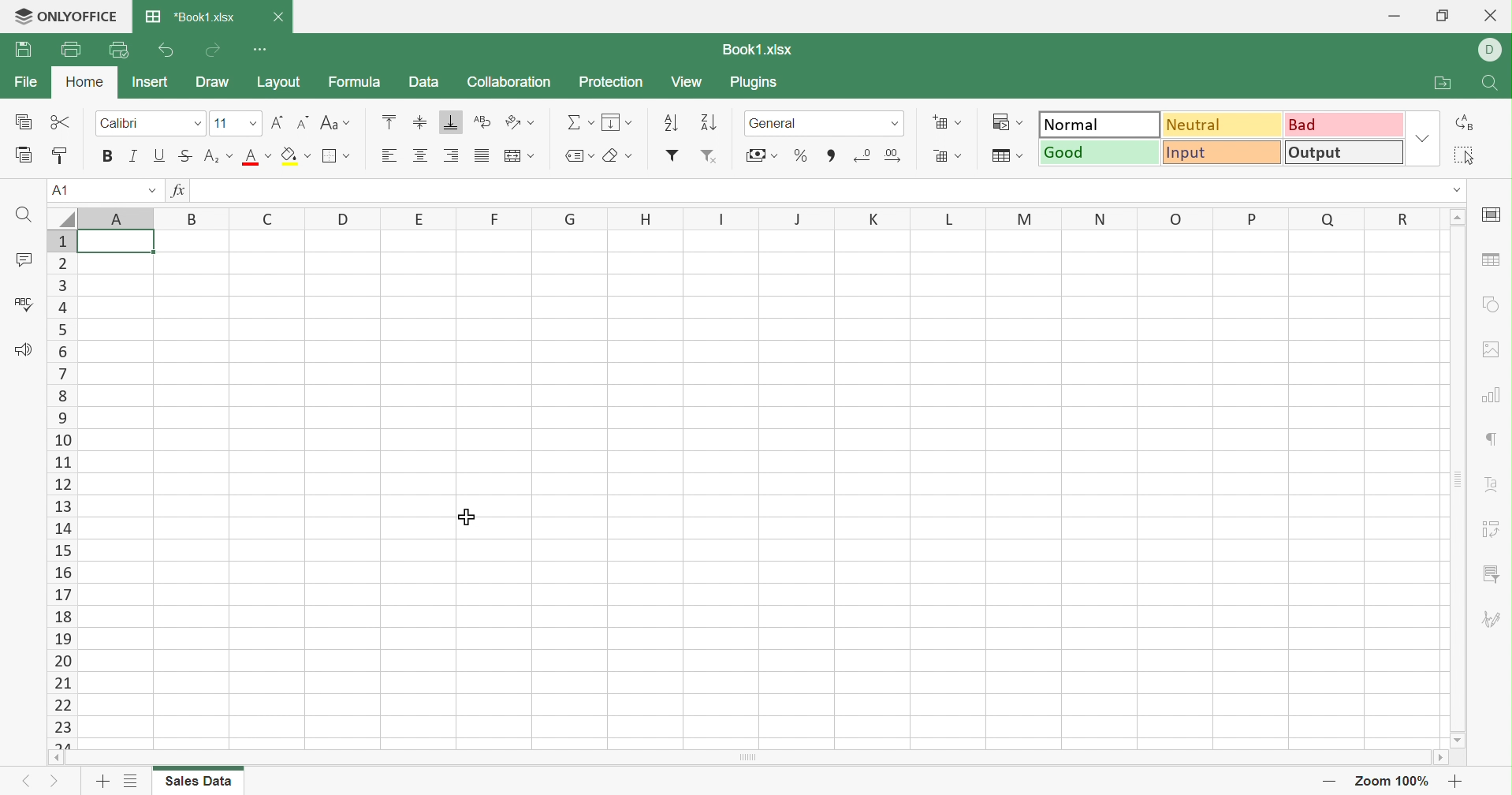 This screenshot has width=1512, height=795. What do you see at coordinates (63, 490) in the screenshot?
I see `Row Numbers` at bounding box center [63, 490].